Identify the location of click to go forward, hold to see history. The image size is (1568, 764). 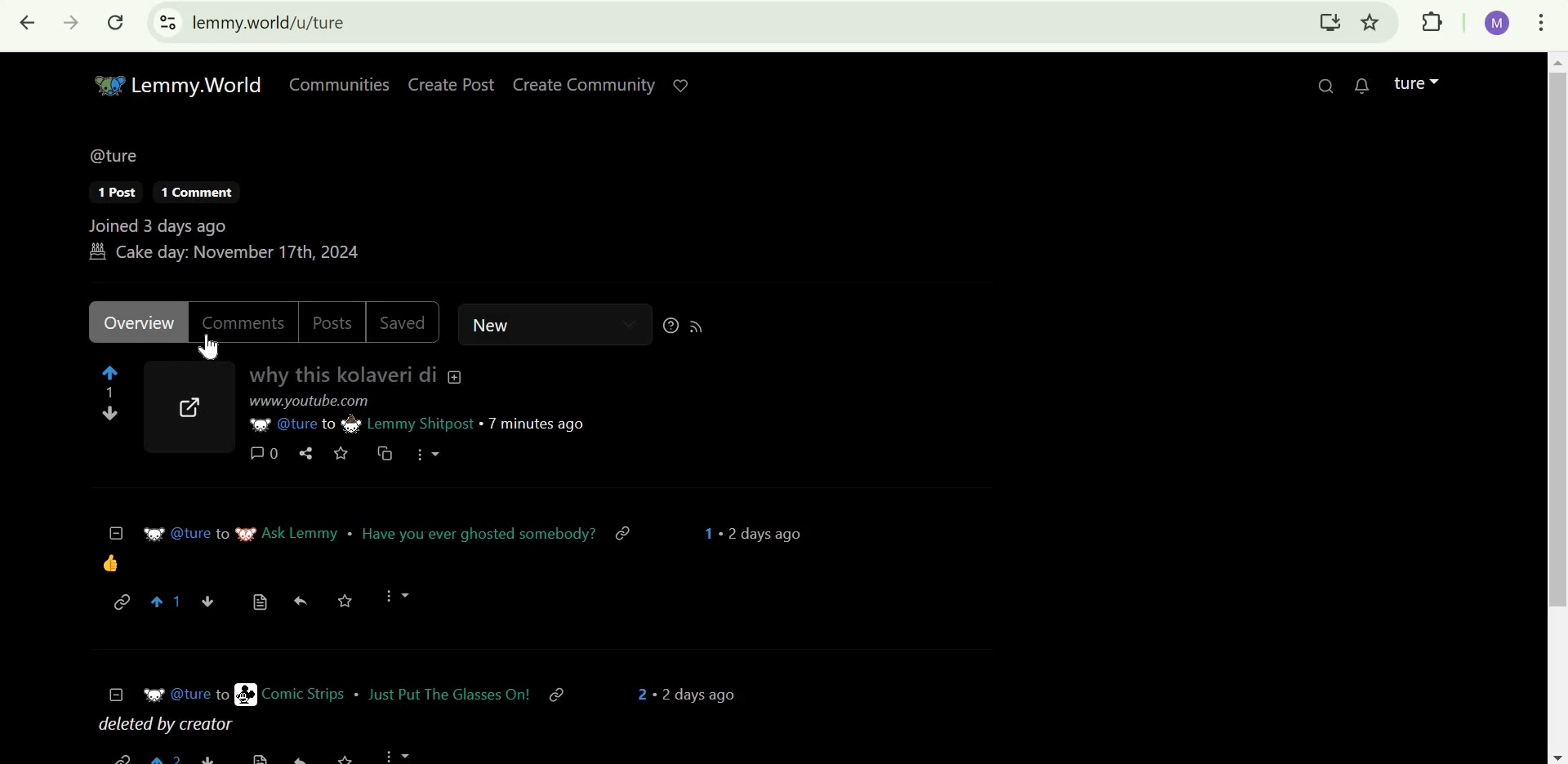
(66, 23).